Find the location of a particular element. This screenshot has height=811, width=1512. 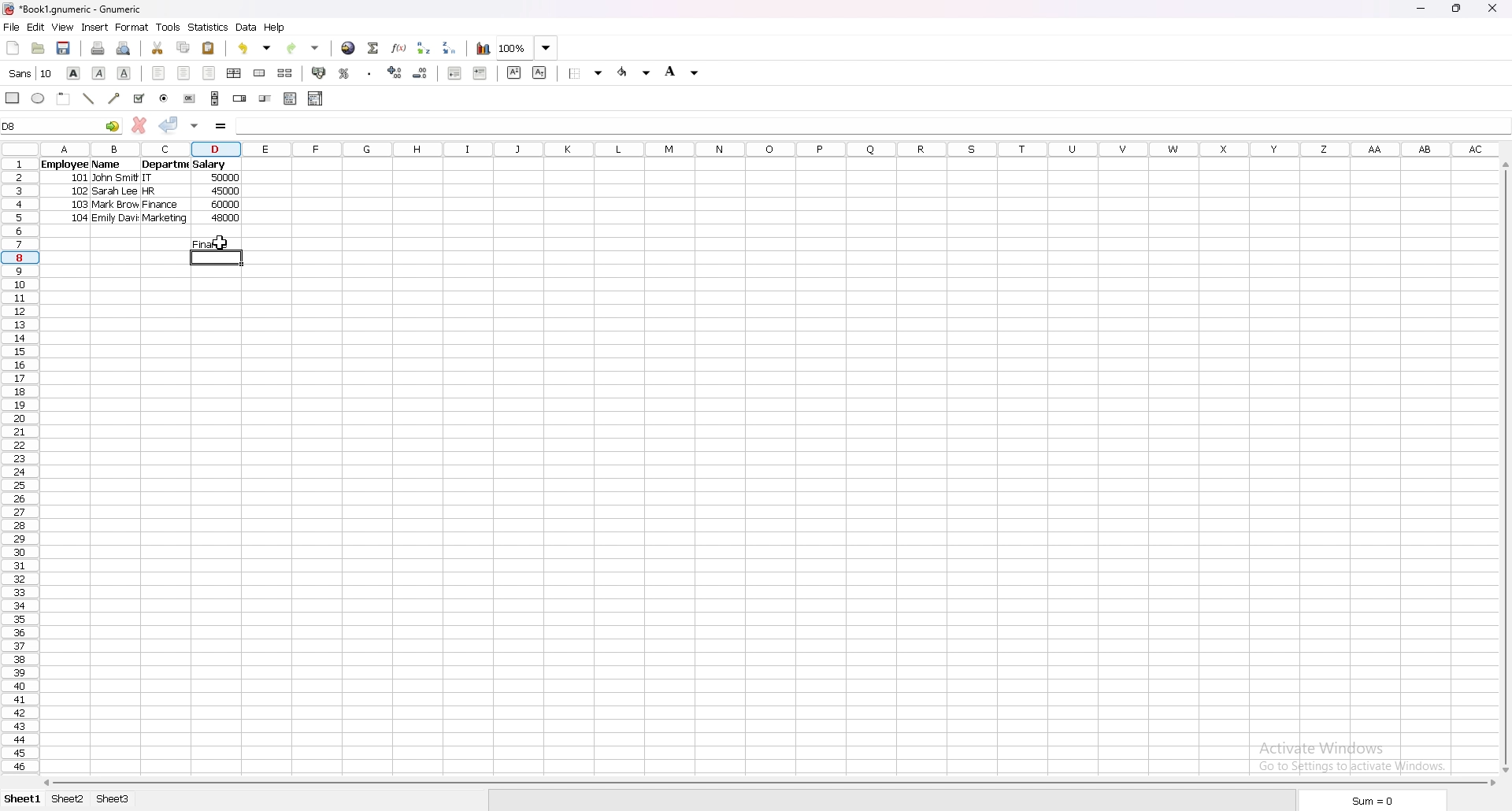

view is located at coordinates (62, 27).